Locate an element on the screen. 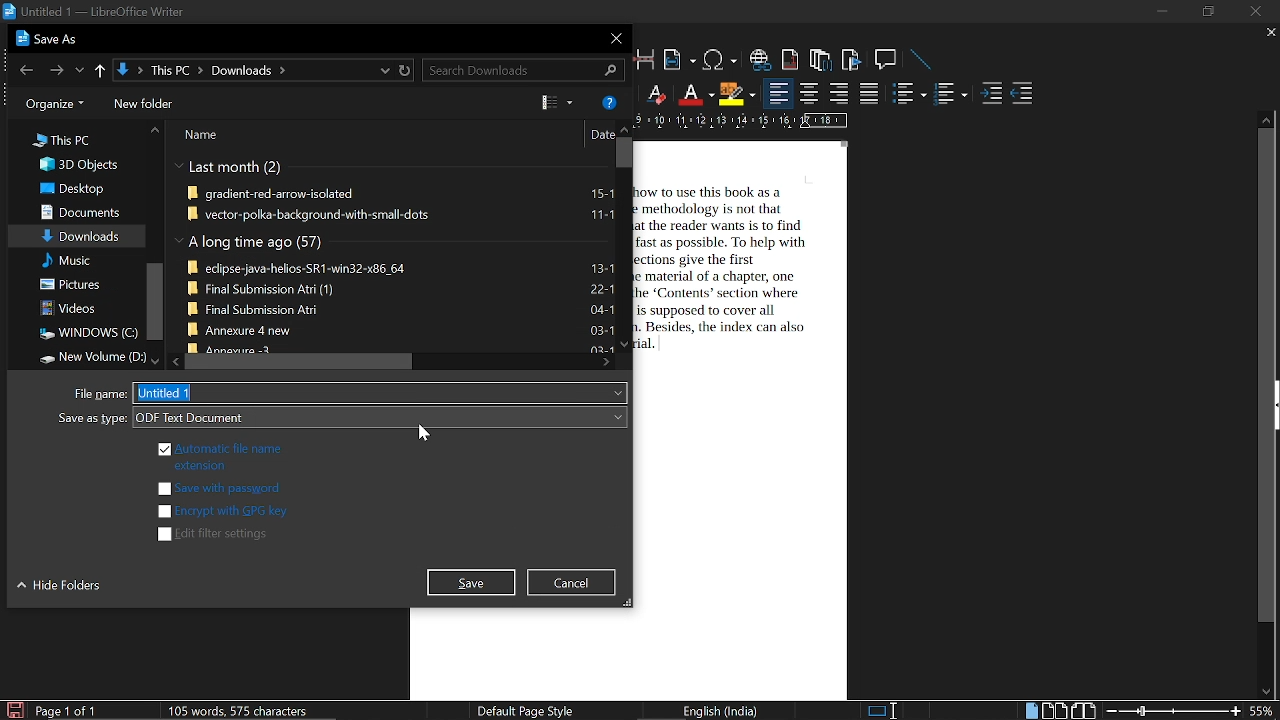 Image resolution: width=1280 pixels, height=720 pixels. search is located at coordinates (520, 71).